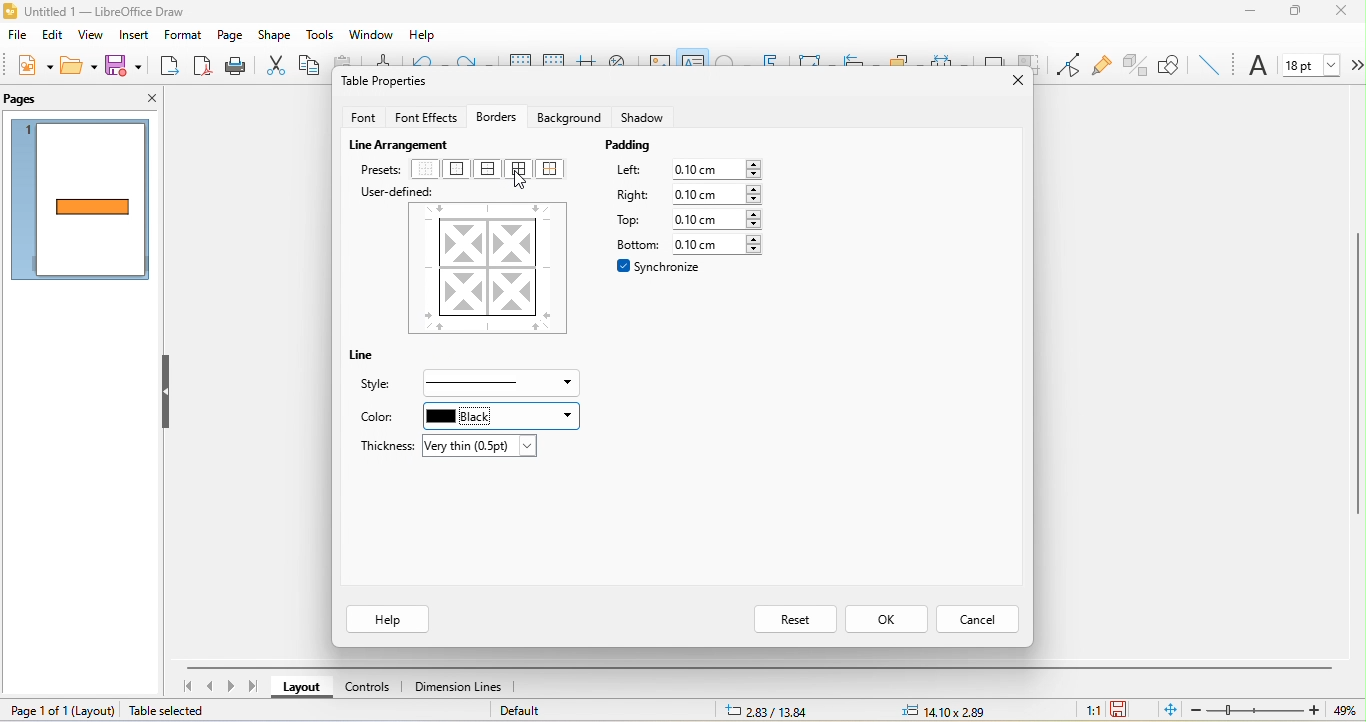 Image resolution: width=1366 pixels, height=722 pixels. Describe the element at coordinates (426, 114) in the screenshot. I see `font effects` at that location.